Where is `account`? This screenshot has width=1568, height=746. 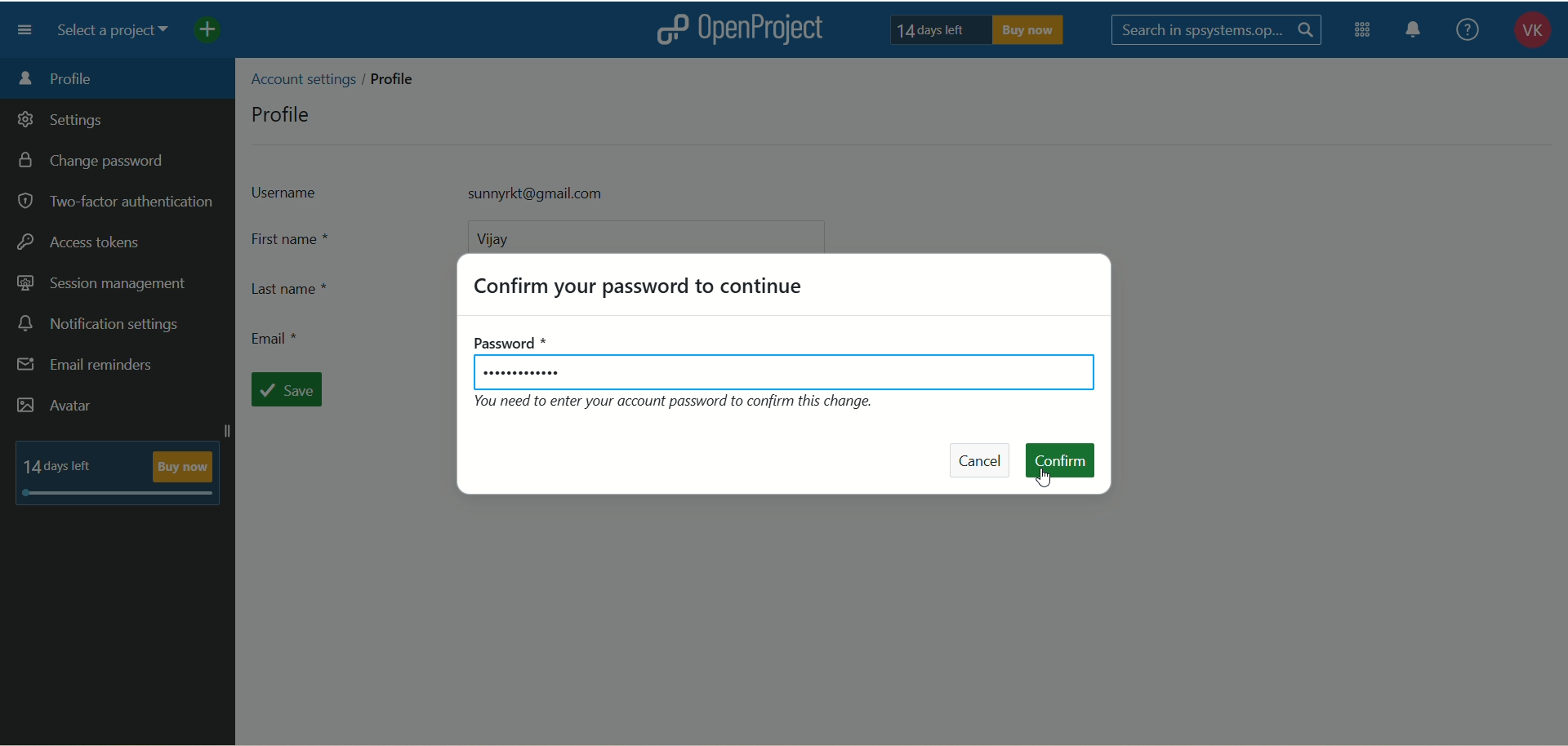
account is located at coordinates (1526, 33).